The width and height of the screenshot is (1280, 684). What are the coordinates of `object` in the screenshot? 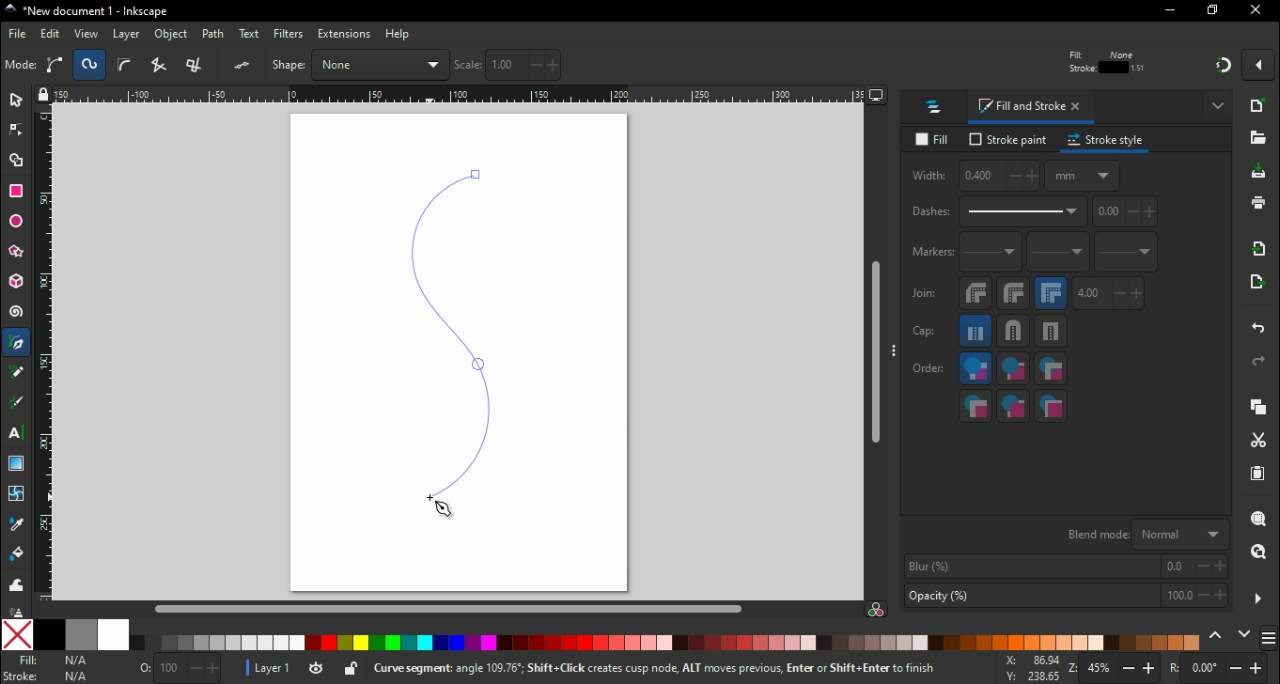 It's located at (172, 35).